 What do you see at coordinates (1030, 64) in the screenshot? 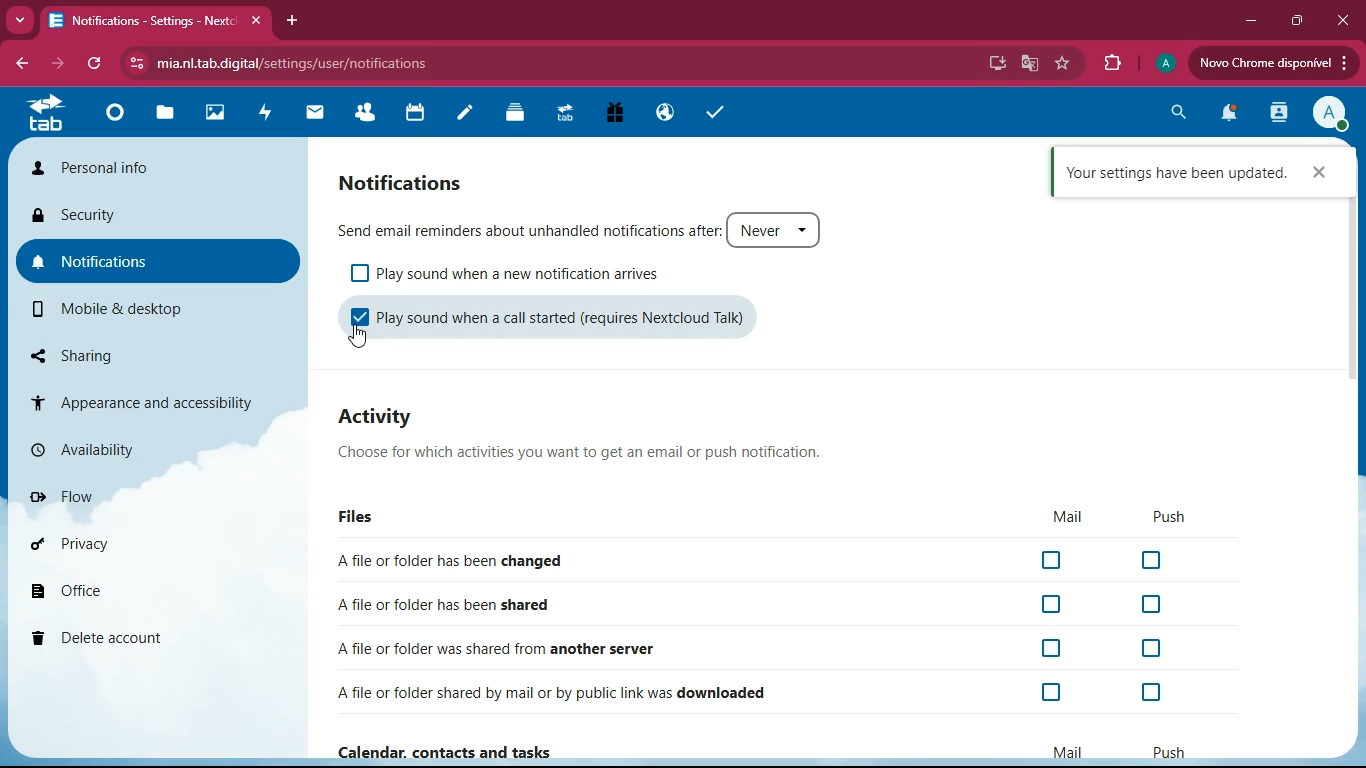
I see `google translate` at bounding box center [1030, 64].